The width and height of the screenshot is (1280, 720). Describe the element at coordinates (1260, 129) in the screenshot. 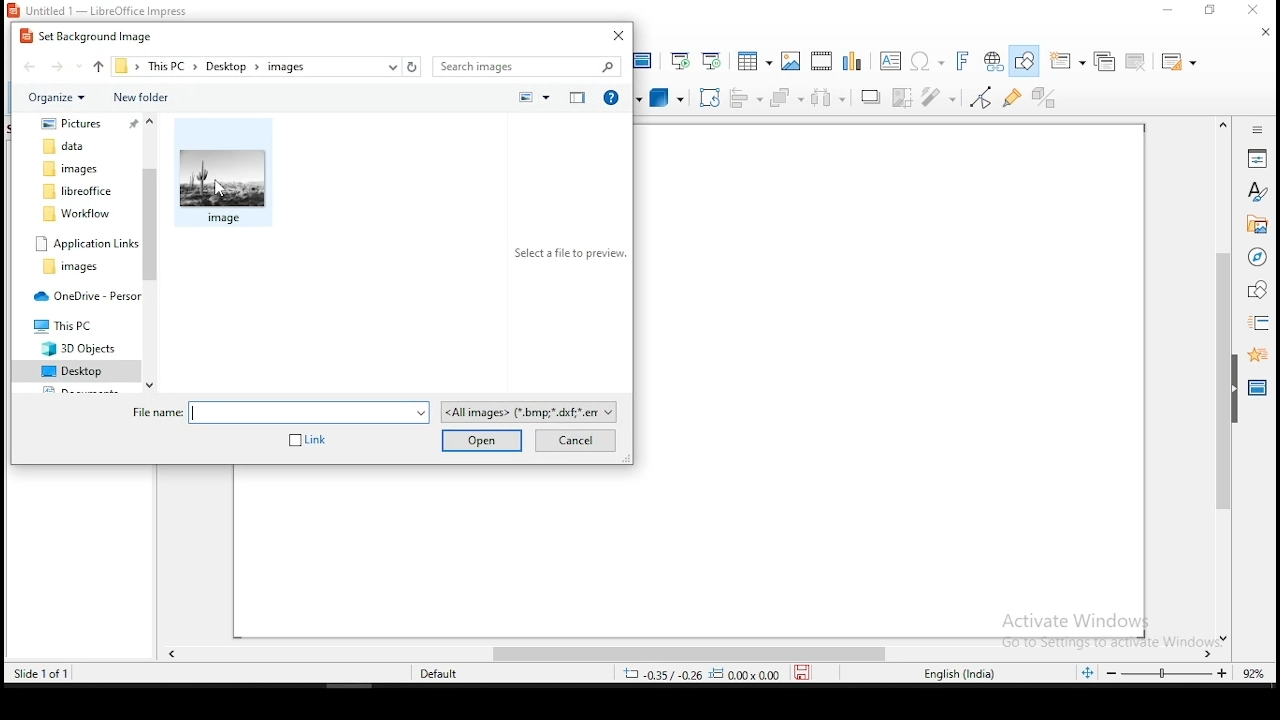

I see `sidebar settings` at that location.